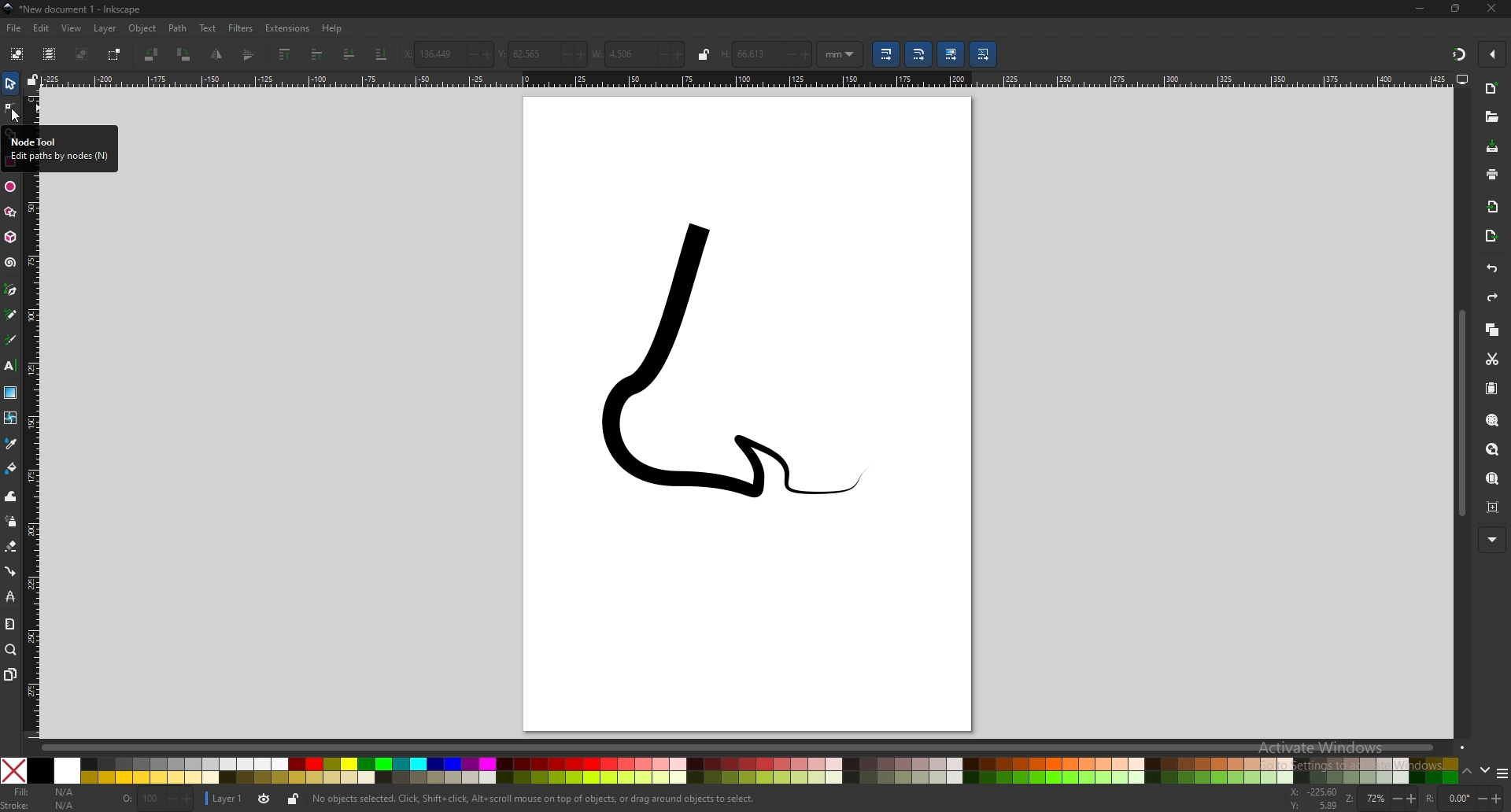 The image size is (1511, 812). Describe the element at coordinates (1457, 52) in the screenshot. I see `snapping` at that location.